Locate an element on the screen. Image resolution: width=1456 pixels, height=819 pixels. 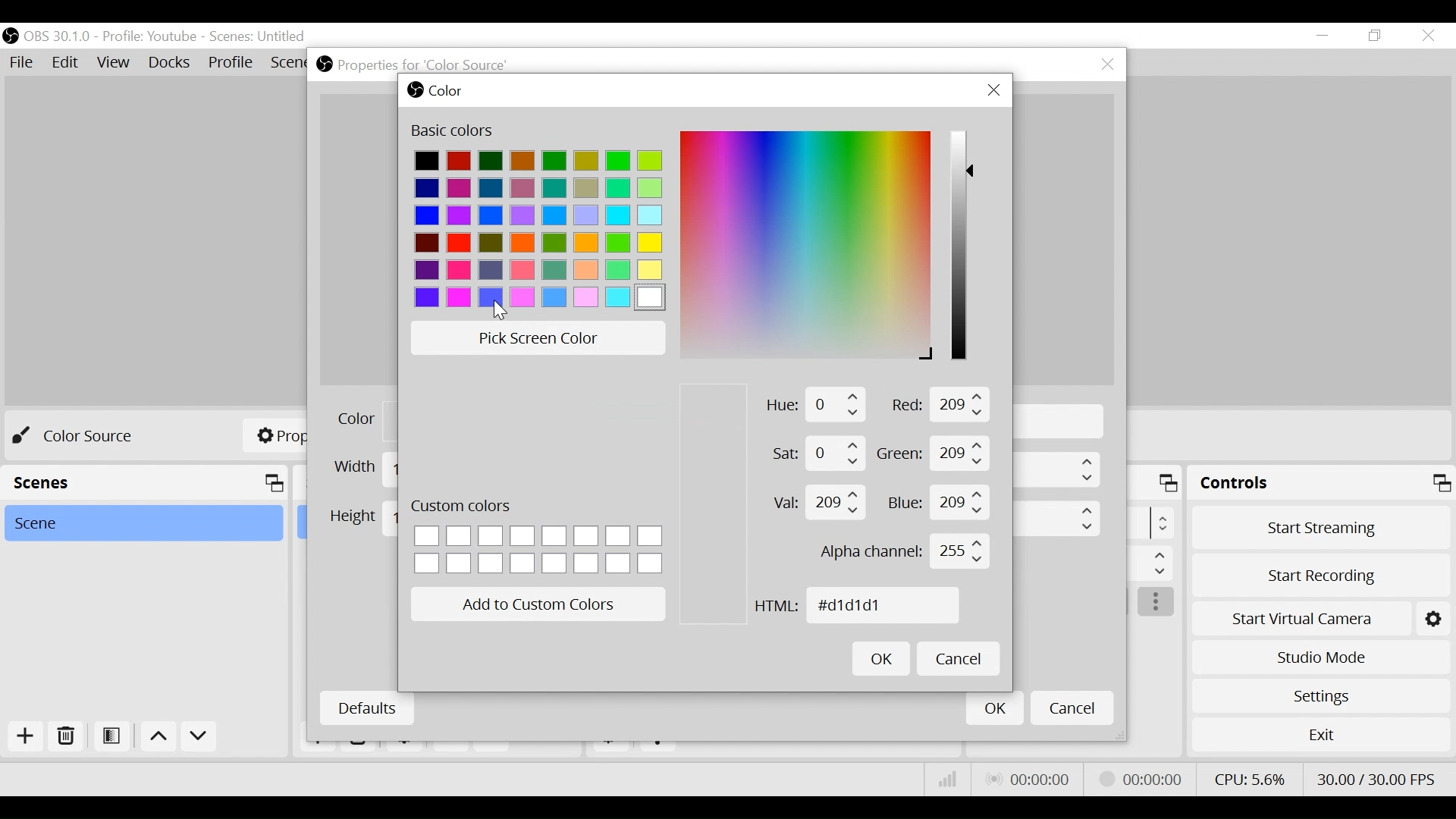
Close is located at coordinates (1427, 37).